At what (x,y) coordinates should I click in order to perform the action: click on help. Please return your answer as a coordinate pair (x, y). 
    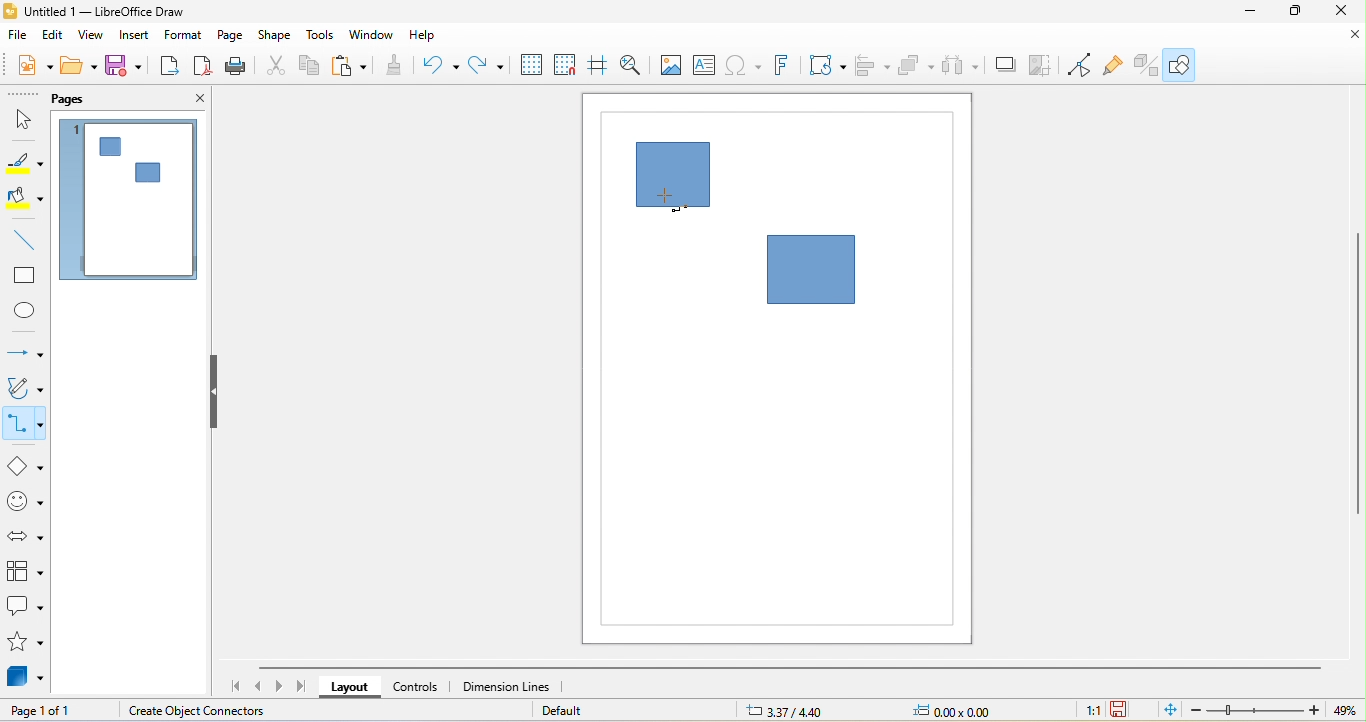
    Looking at the image, I should click on (425, 36).